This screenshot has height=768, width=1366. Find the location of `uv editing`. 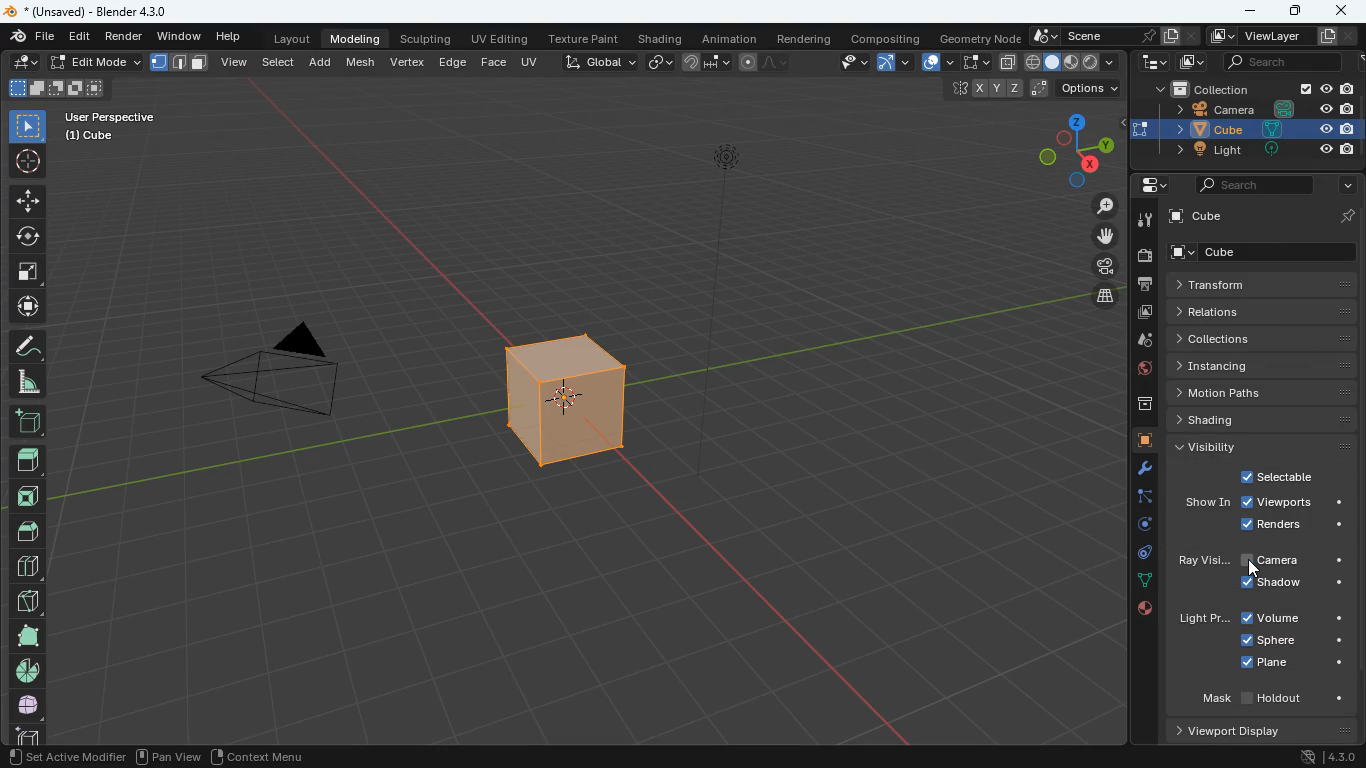

uv editing is located at coordinates (501, 40).